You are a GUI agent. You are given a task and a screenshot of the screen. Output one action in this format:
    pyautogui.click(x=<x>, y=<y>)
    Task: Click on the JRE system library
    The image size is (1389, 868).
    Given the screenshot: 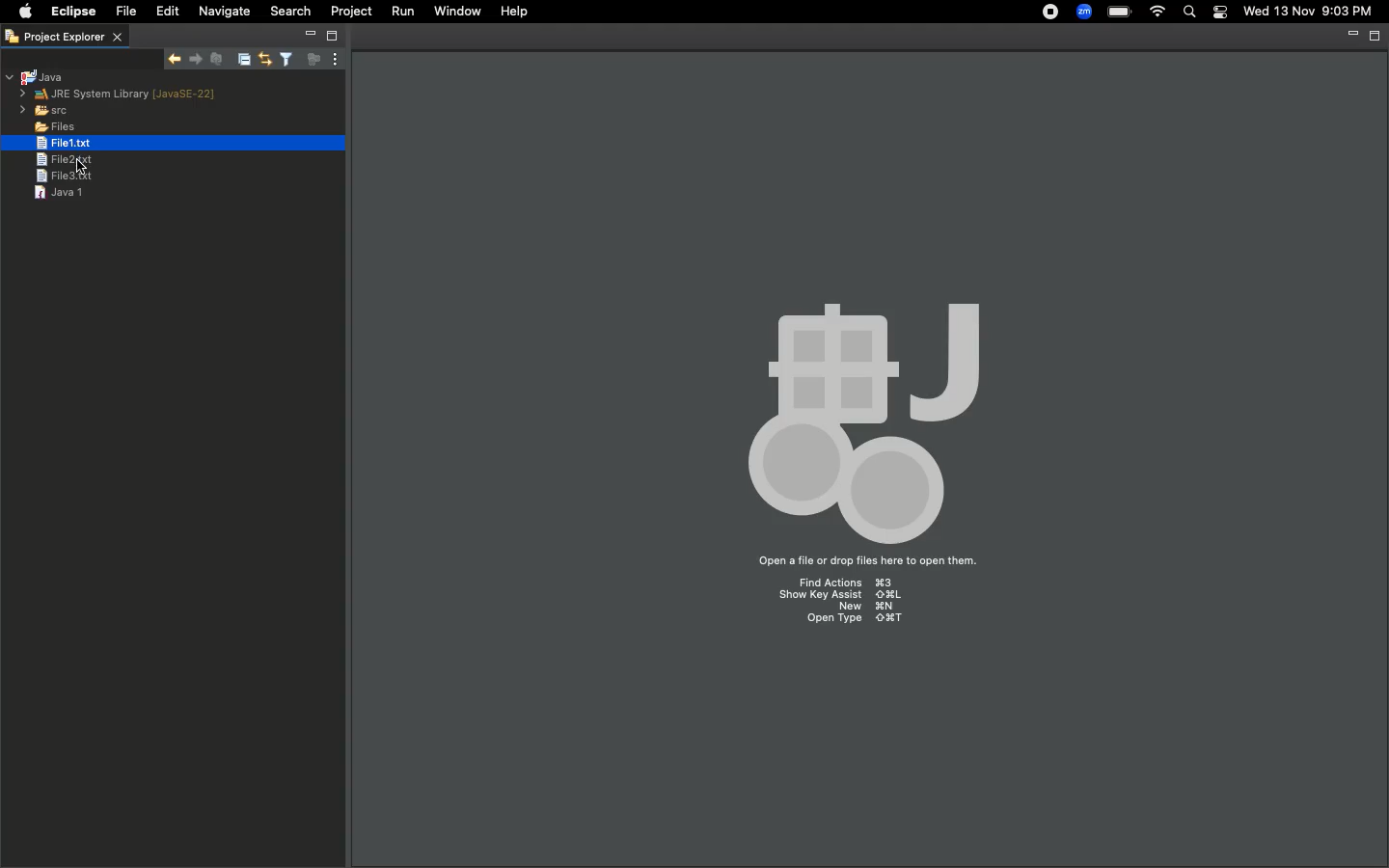 What is the action you would take?
    pyautogui.click(x=122, y=95)
    